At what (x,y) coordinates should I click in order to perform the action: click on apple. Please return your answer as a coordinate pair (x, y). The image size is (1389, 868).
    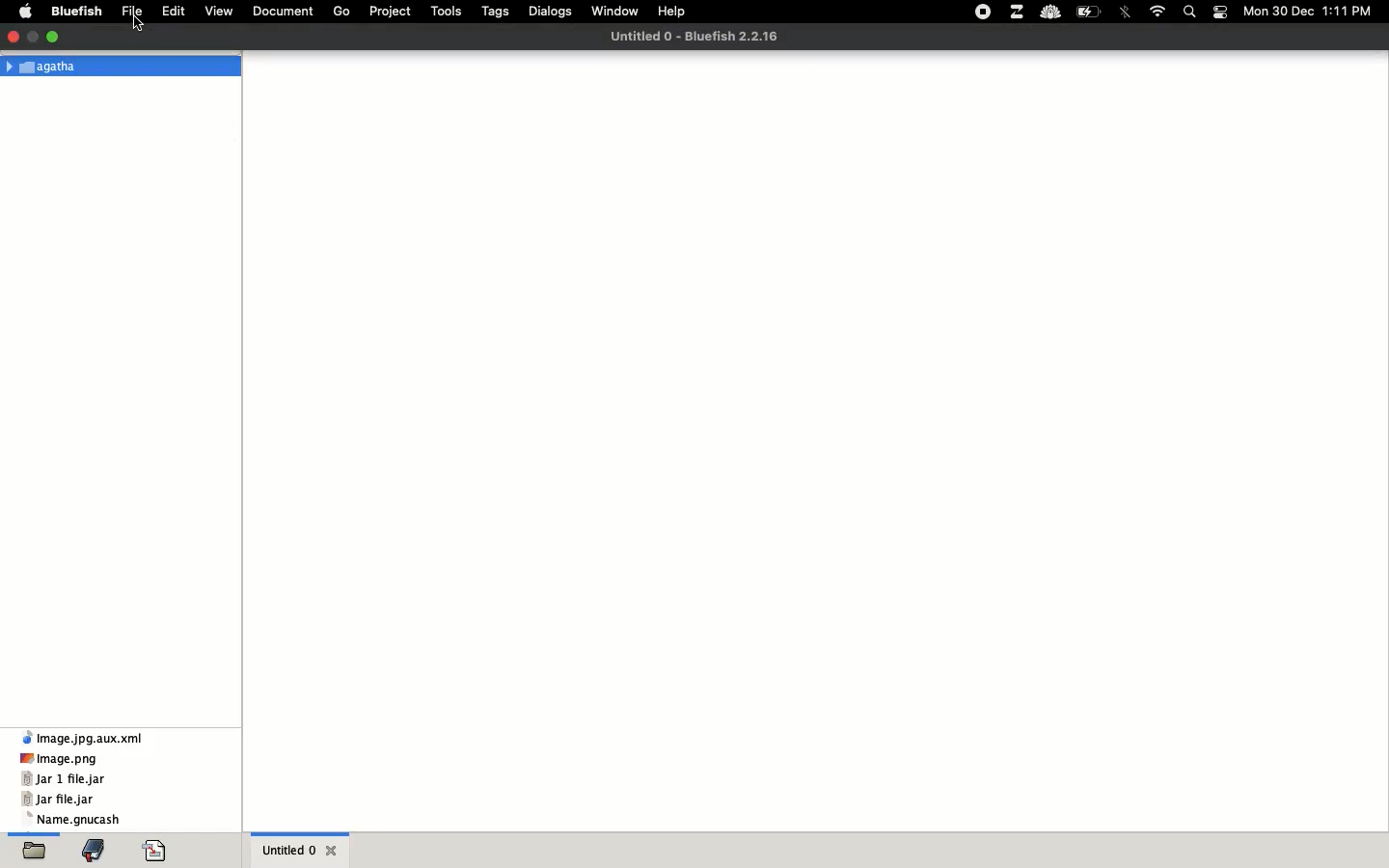
    Looking at the image, I should click on (30, 10).